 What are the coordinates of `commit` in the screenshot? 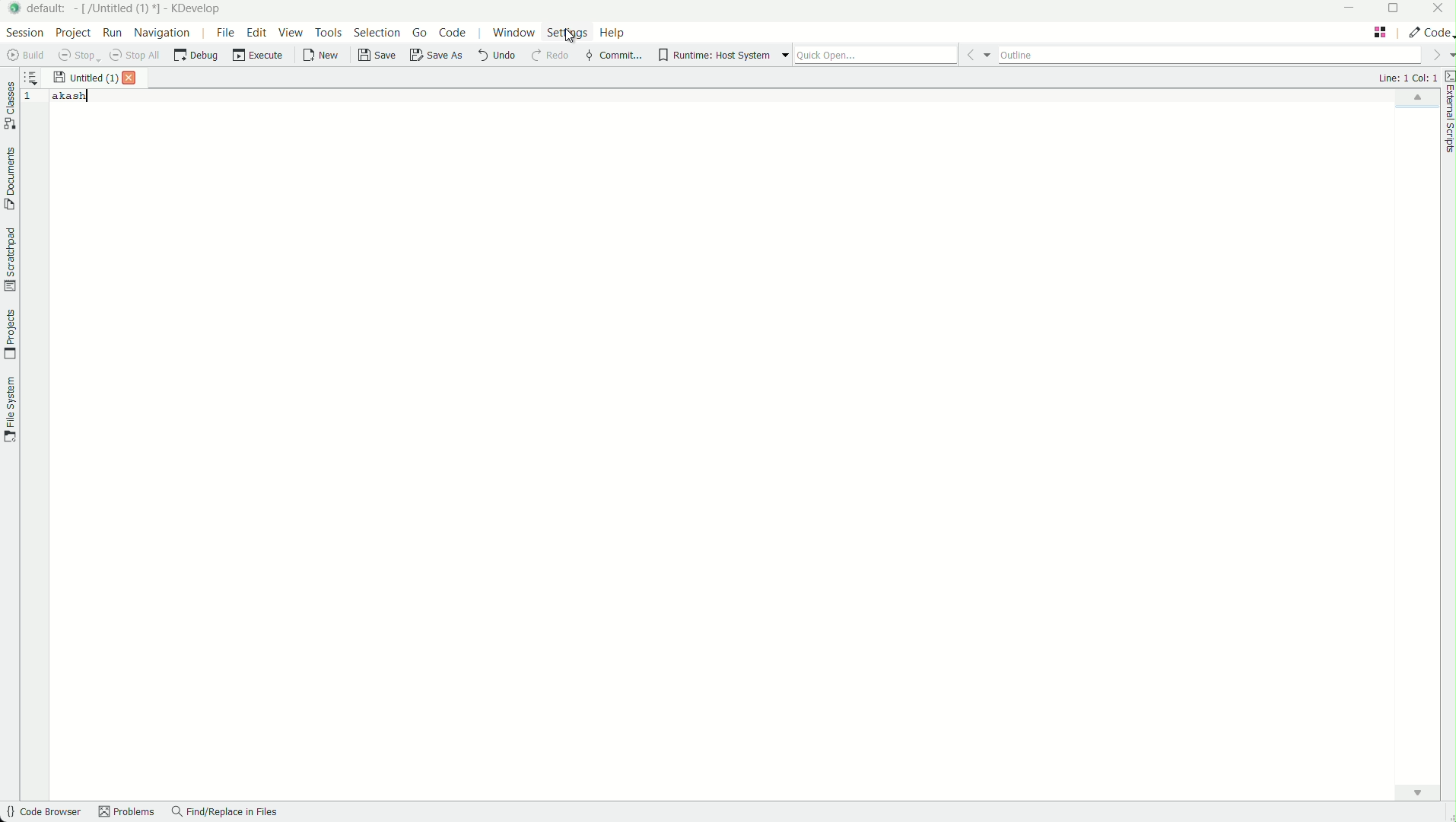 It's located at (613, 56).